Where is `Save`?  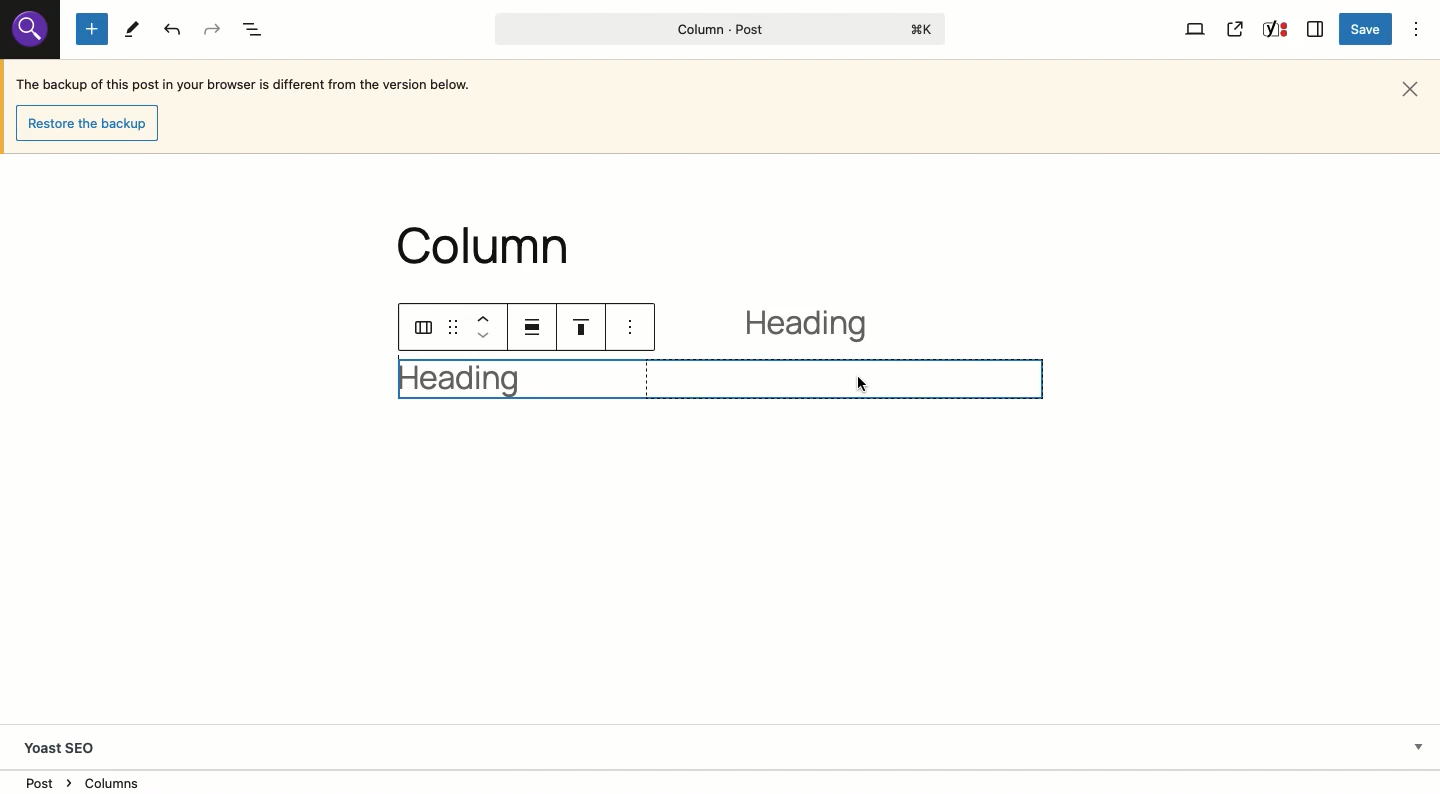
Save is located at coordinates (1368, 30).